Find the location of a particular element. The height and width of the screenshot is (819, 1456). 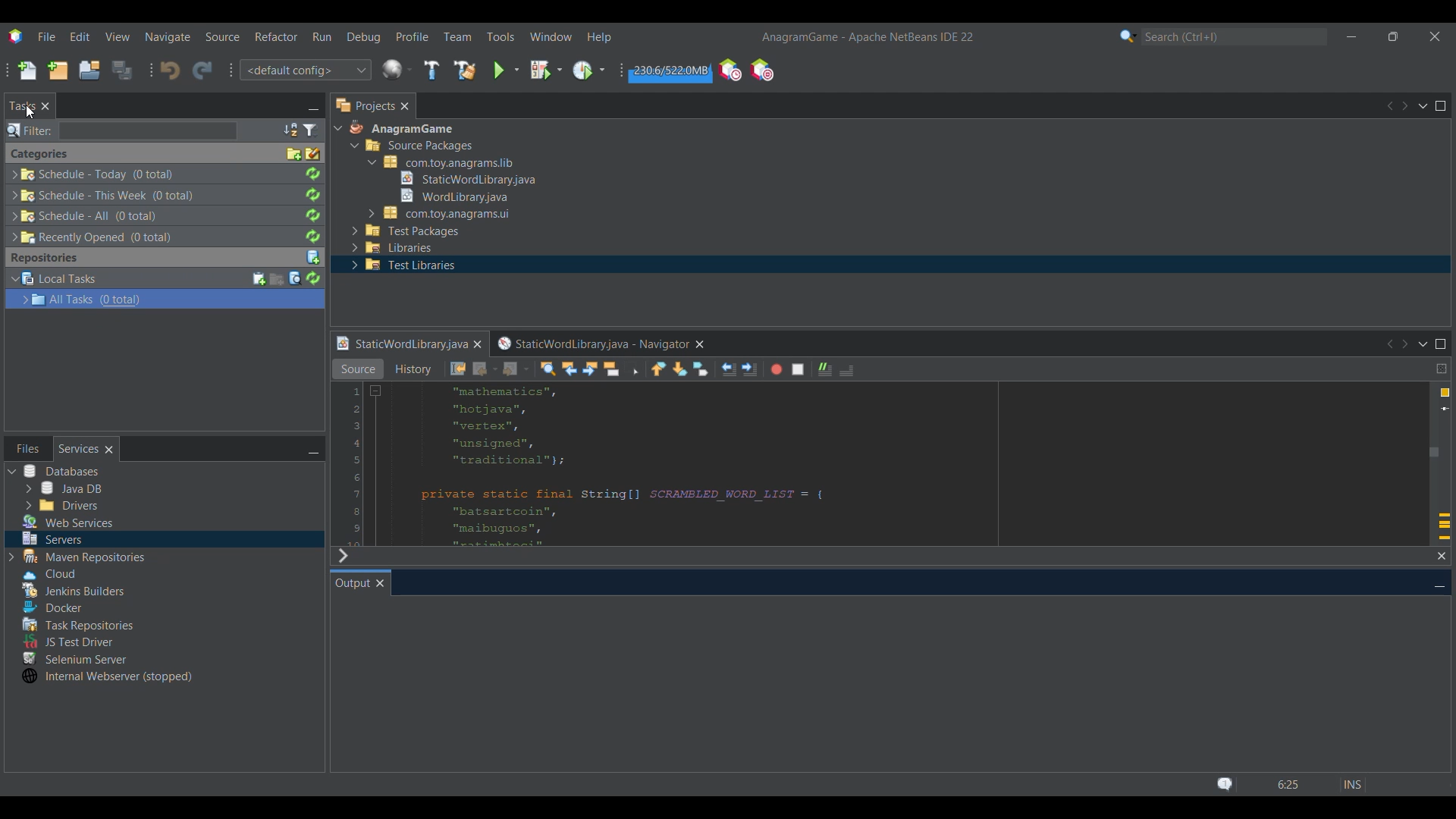

Source menu is located at coordinates (221, 36).